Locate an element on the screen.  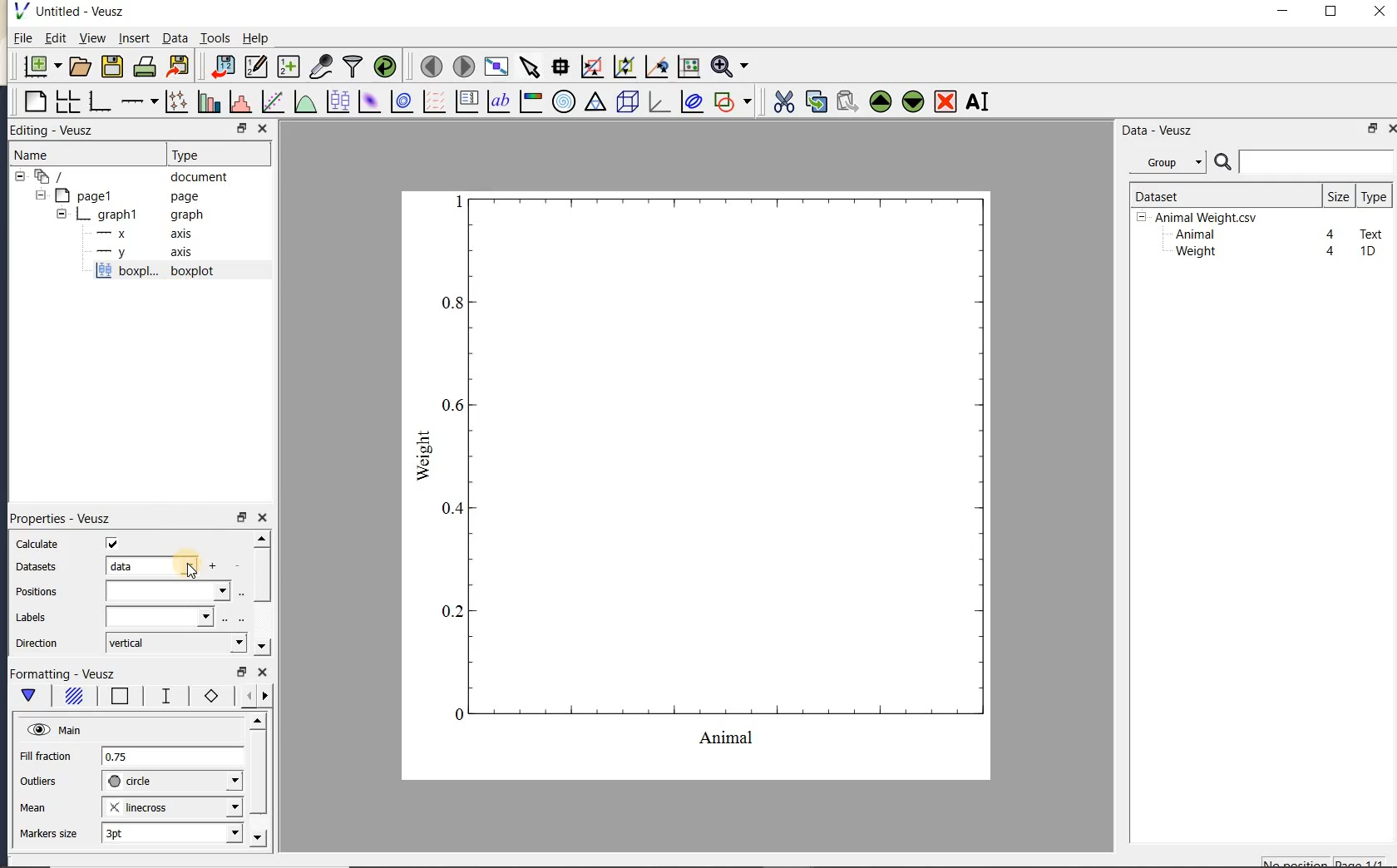
add an axis to the plot is located at coordinates (139, 101).